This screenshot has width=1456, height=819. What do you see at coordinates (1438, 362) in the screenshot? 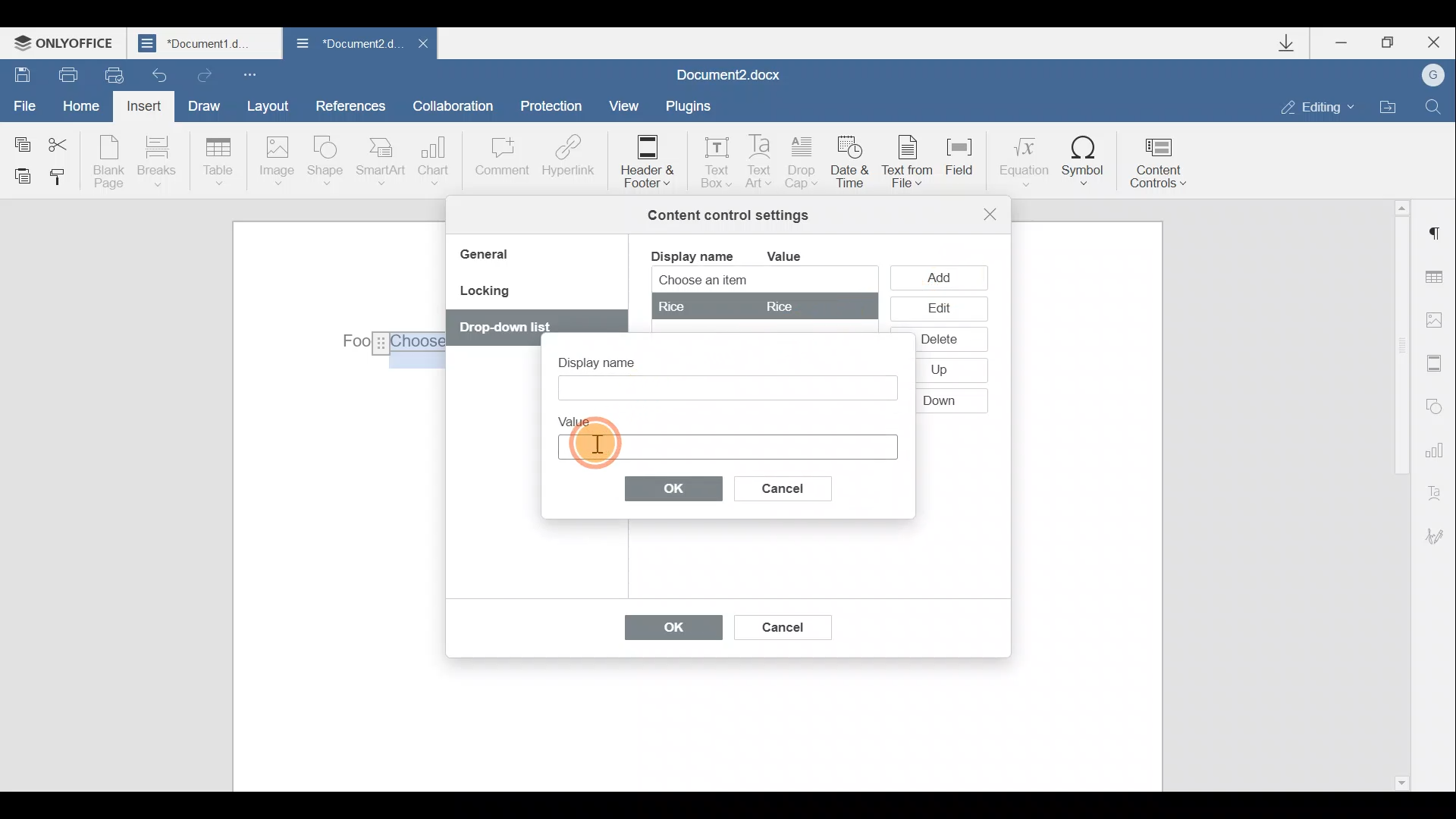
I see `Header & footer settings` at bounding box center [1438, 362].